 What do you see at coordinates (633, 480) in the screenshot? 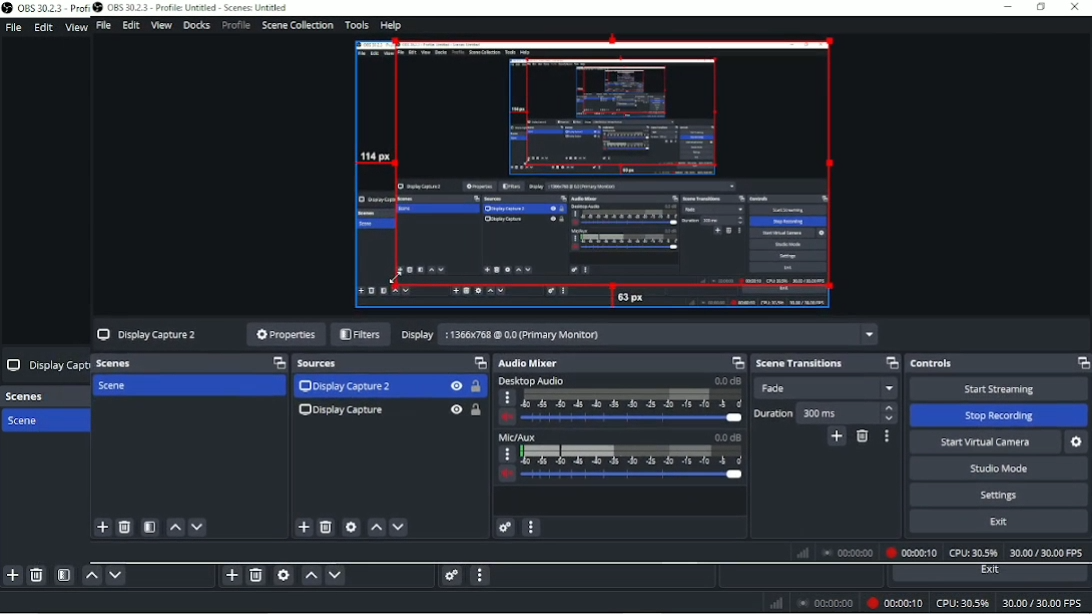
I see `slider` at bounding box center [633, 480].